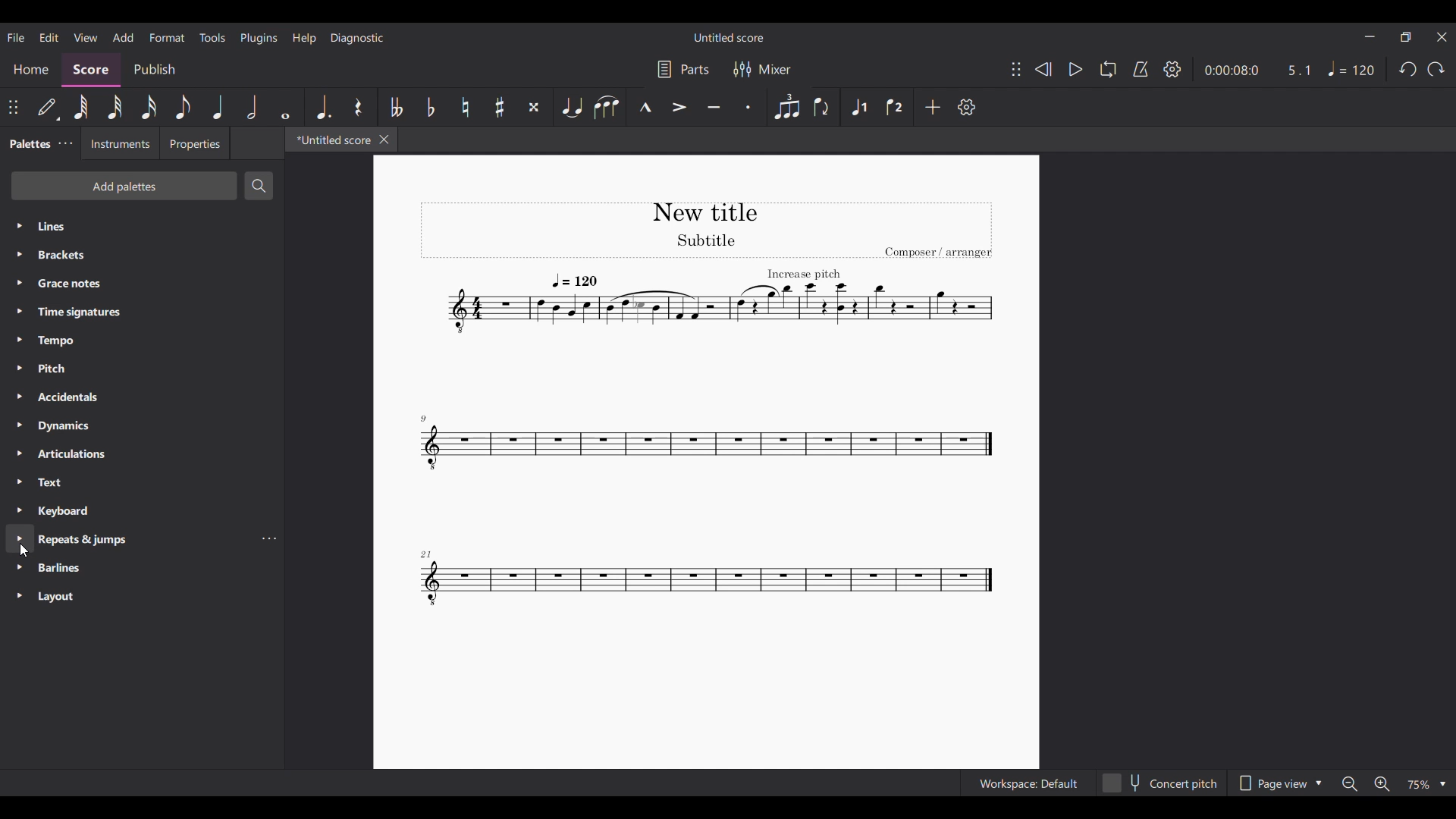 This screenshot has width=1456, height=819. What do you see at coordinates (465, 107) in the screenshot?
I see `Toggle natural` at bounding box center [465, 107].